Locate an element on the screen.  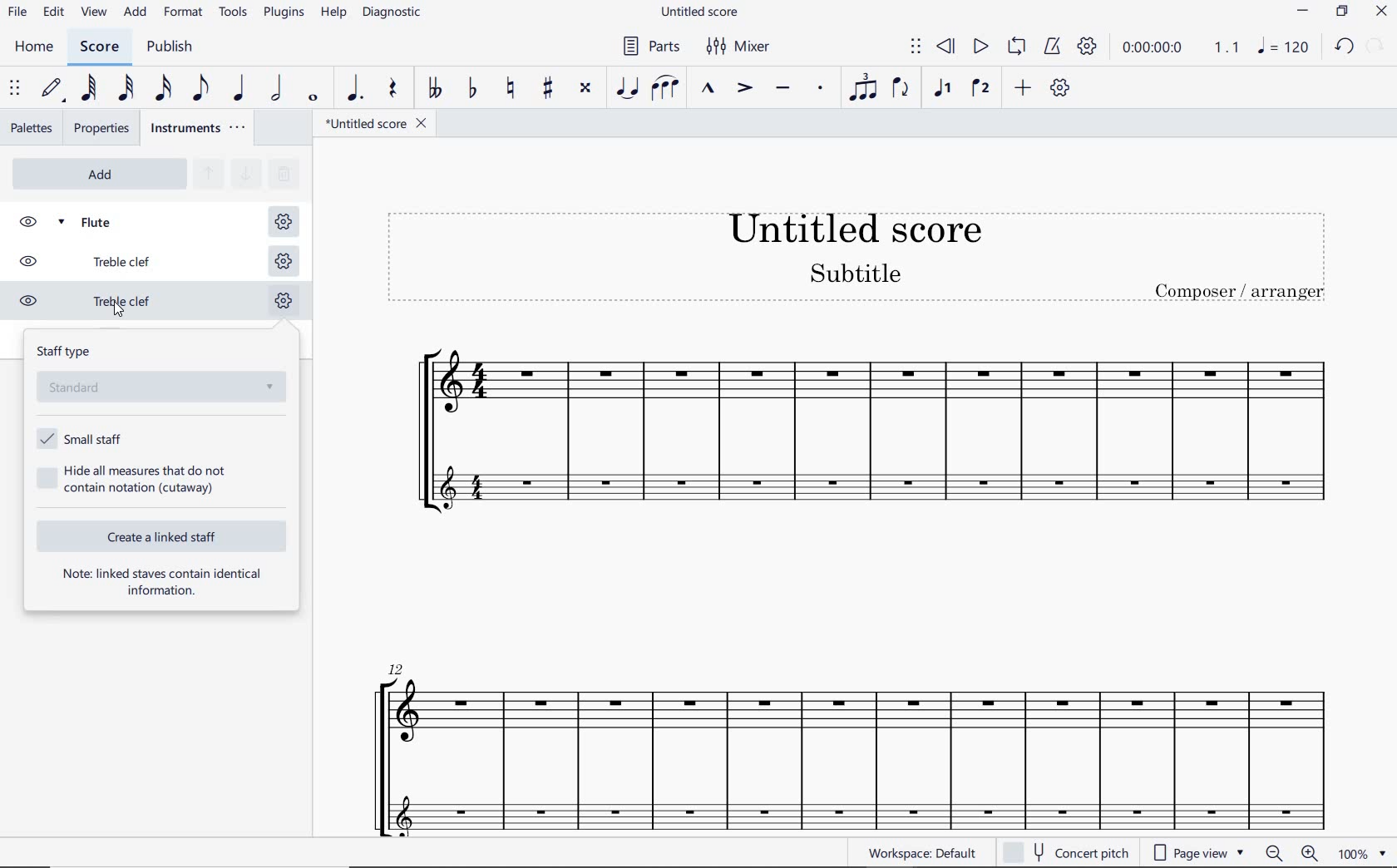
ADD is located at coordinates (135, 14).